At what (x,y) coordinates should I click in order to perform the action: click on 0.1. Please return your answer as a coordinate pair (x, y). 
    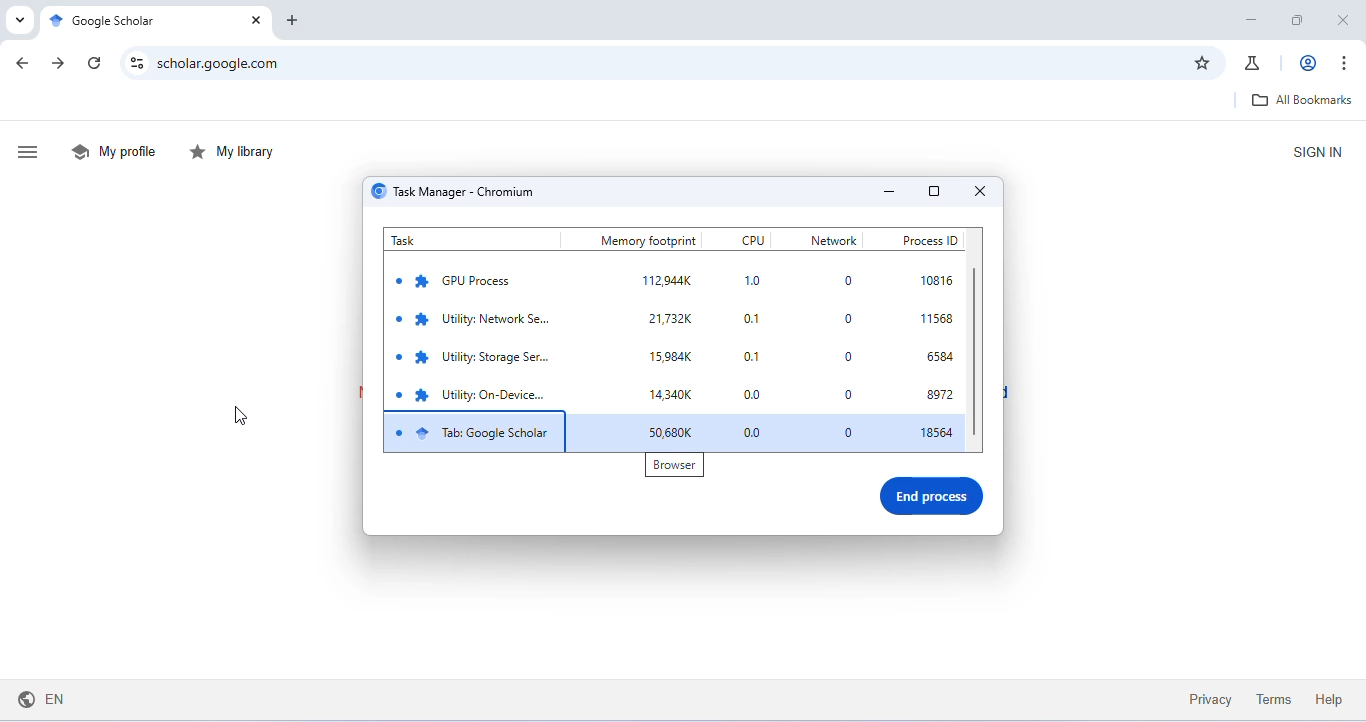
    Looking at the image, I should click on (760, 321).